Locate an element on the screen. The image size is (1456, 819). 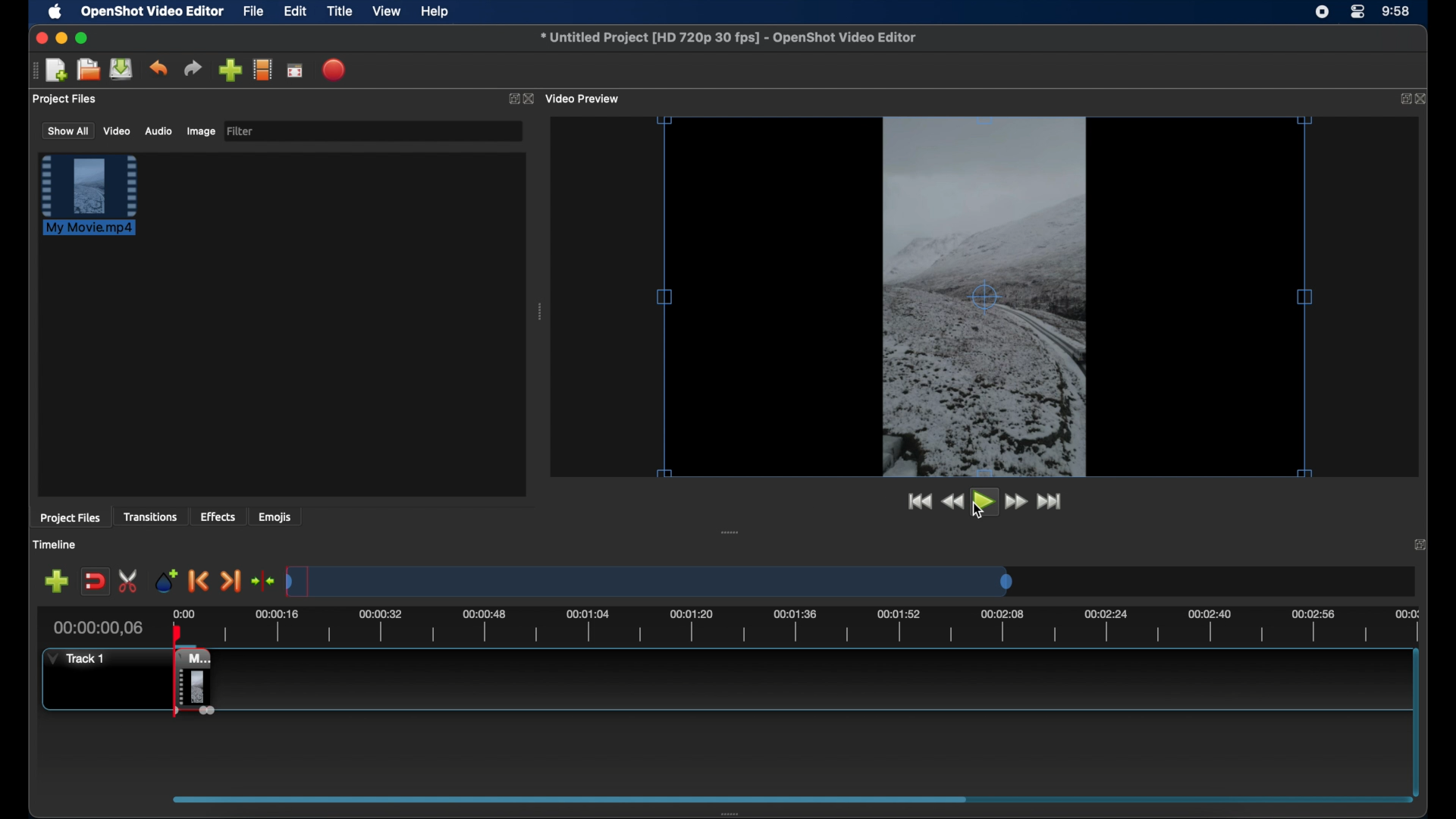
disable snapping is located at coordinates (95, 582).